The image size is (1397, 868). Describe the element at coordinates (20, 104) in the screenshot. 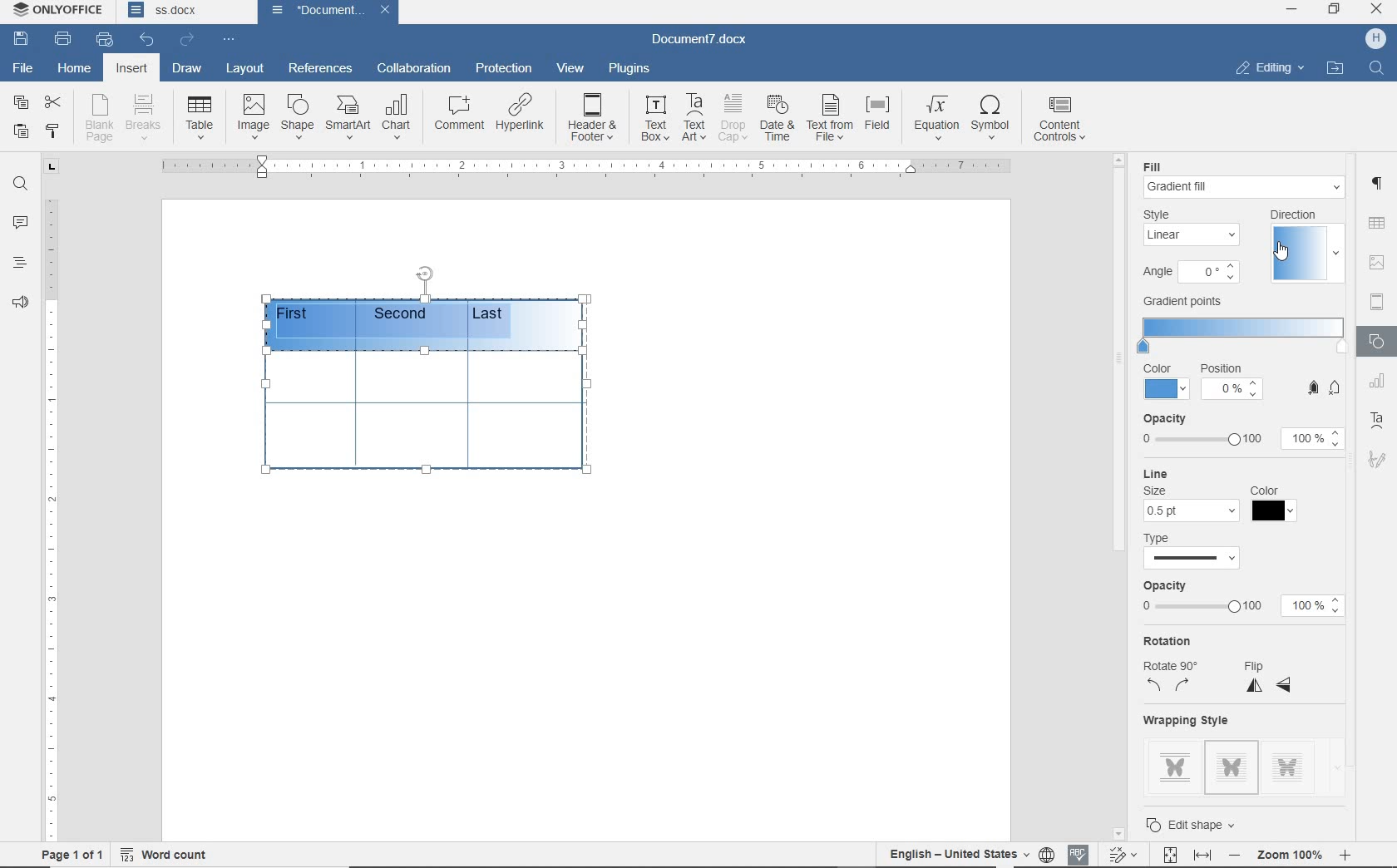

I see `copy` at that location.